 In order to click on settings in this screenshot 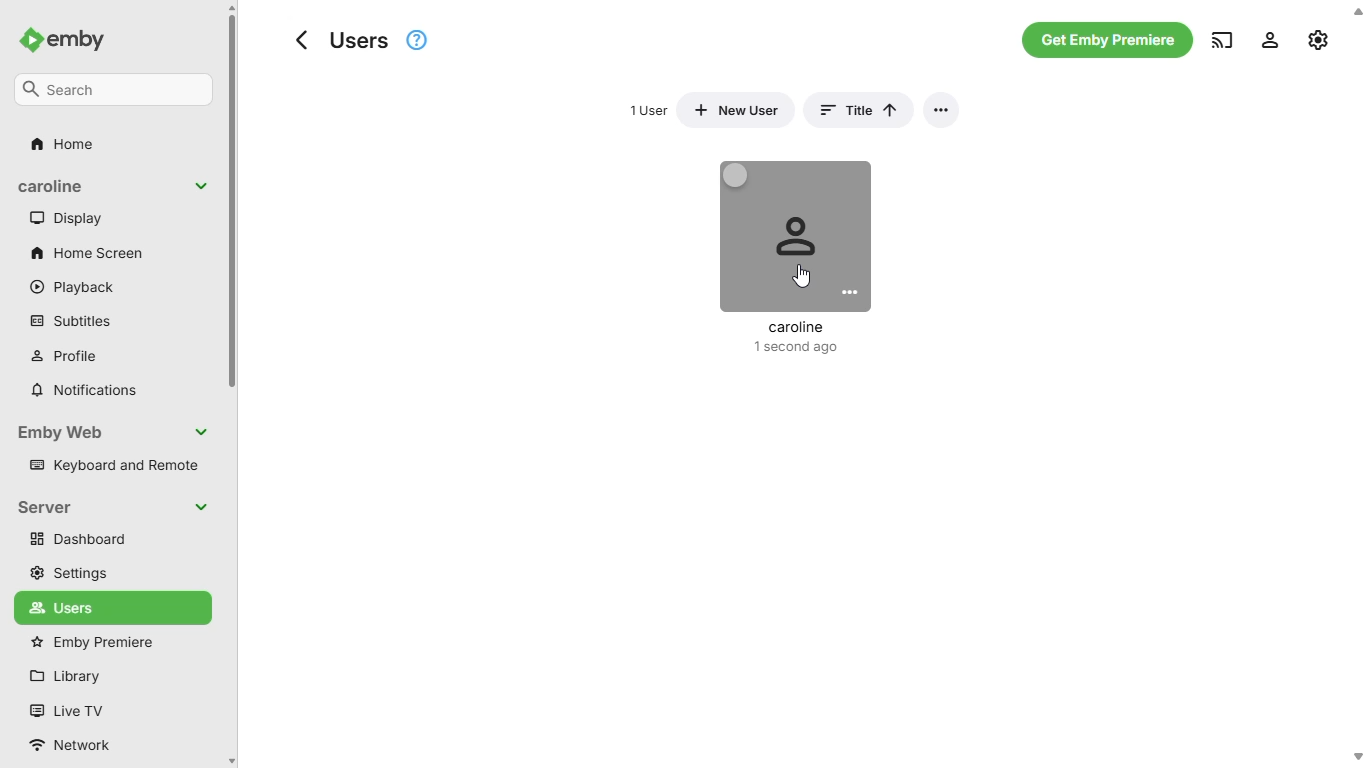, I will do `click(940, 110)`.